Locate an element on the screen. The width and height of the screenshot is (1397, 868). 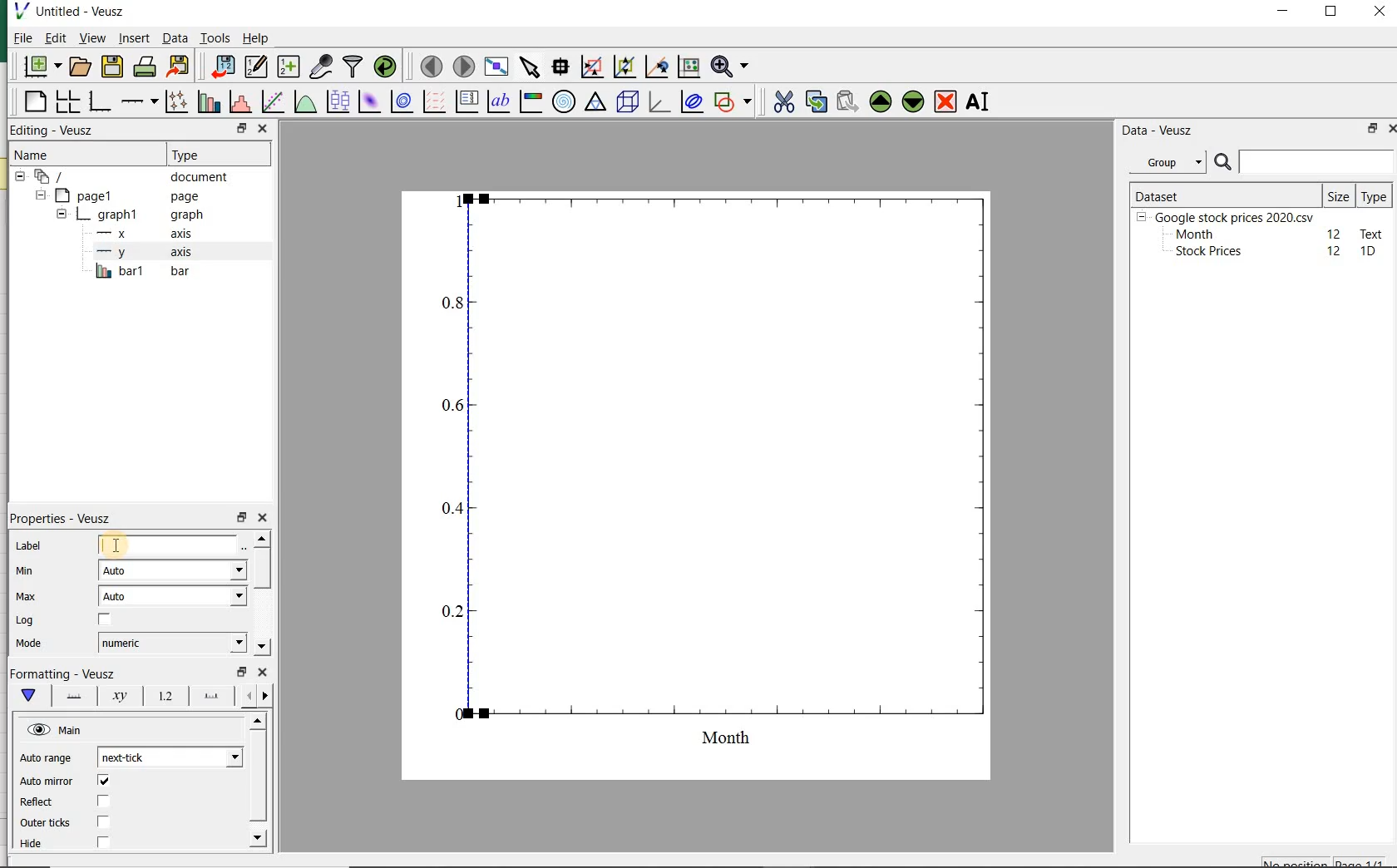
close is located at coordinates (262, 673).